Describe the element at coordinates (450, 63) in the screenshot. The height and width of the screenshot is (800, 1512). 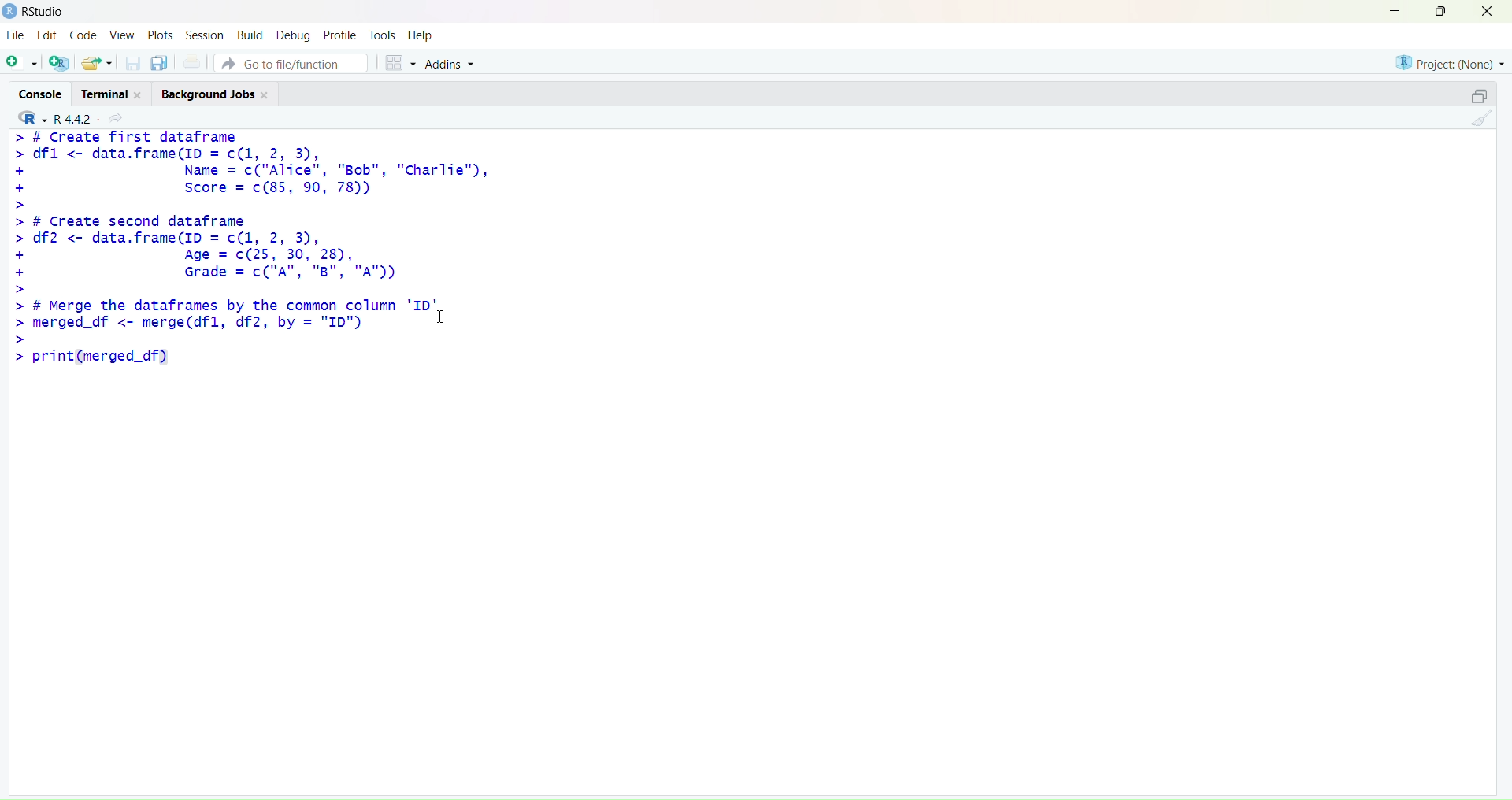
I see `Addins` at that location.